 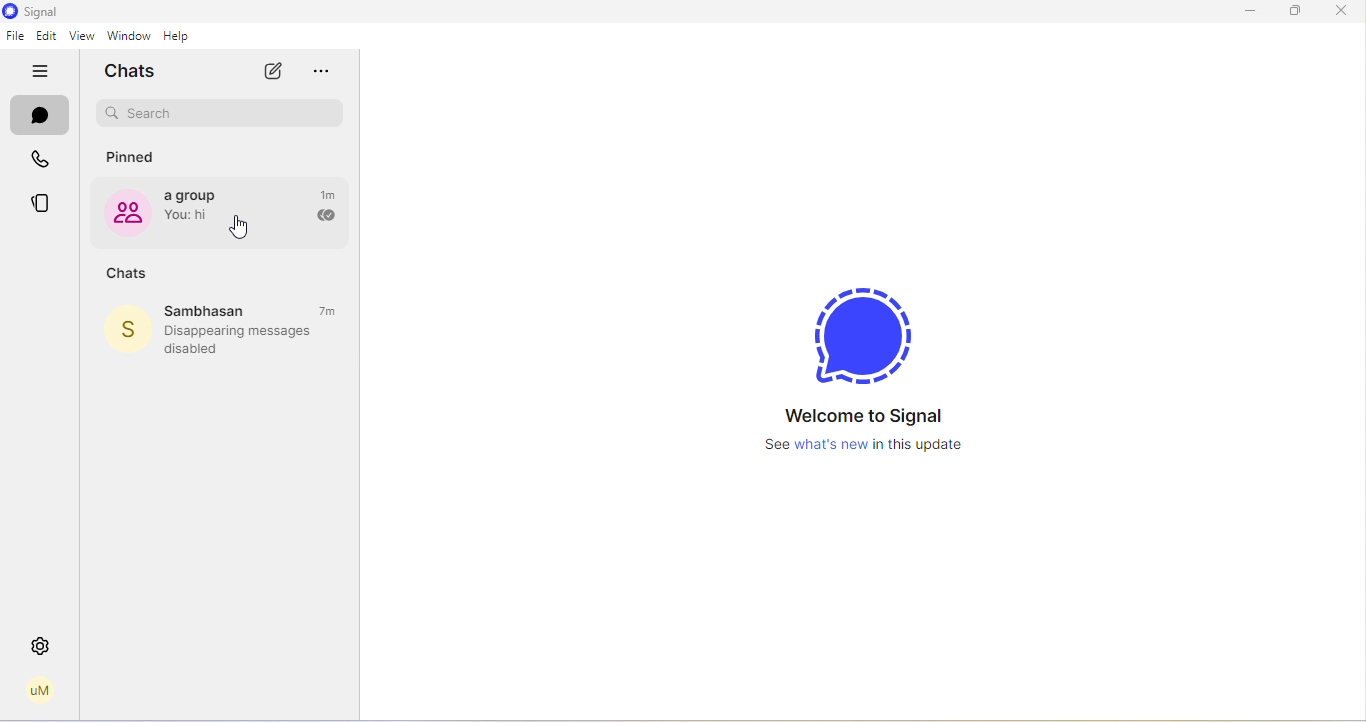 I want to click on settings, so click(x=41, y=646).